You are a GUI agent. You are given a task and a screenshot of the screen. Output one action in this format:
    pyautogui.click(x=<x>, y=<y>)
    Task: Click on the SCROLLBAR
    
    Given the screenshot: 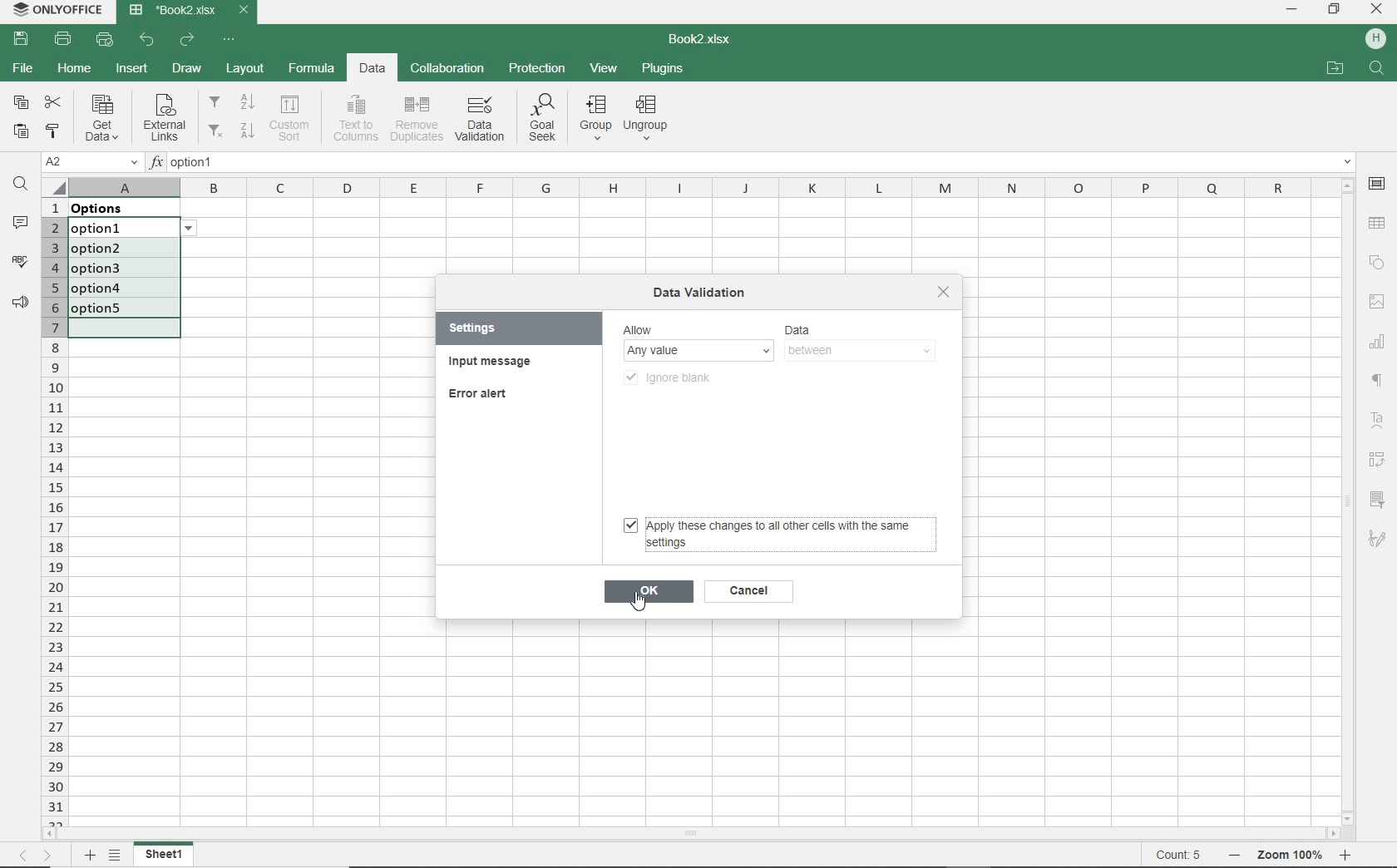 What is the action you would take?
    pyautogui.click(x=1348, y=501)
    